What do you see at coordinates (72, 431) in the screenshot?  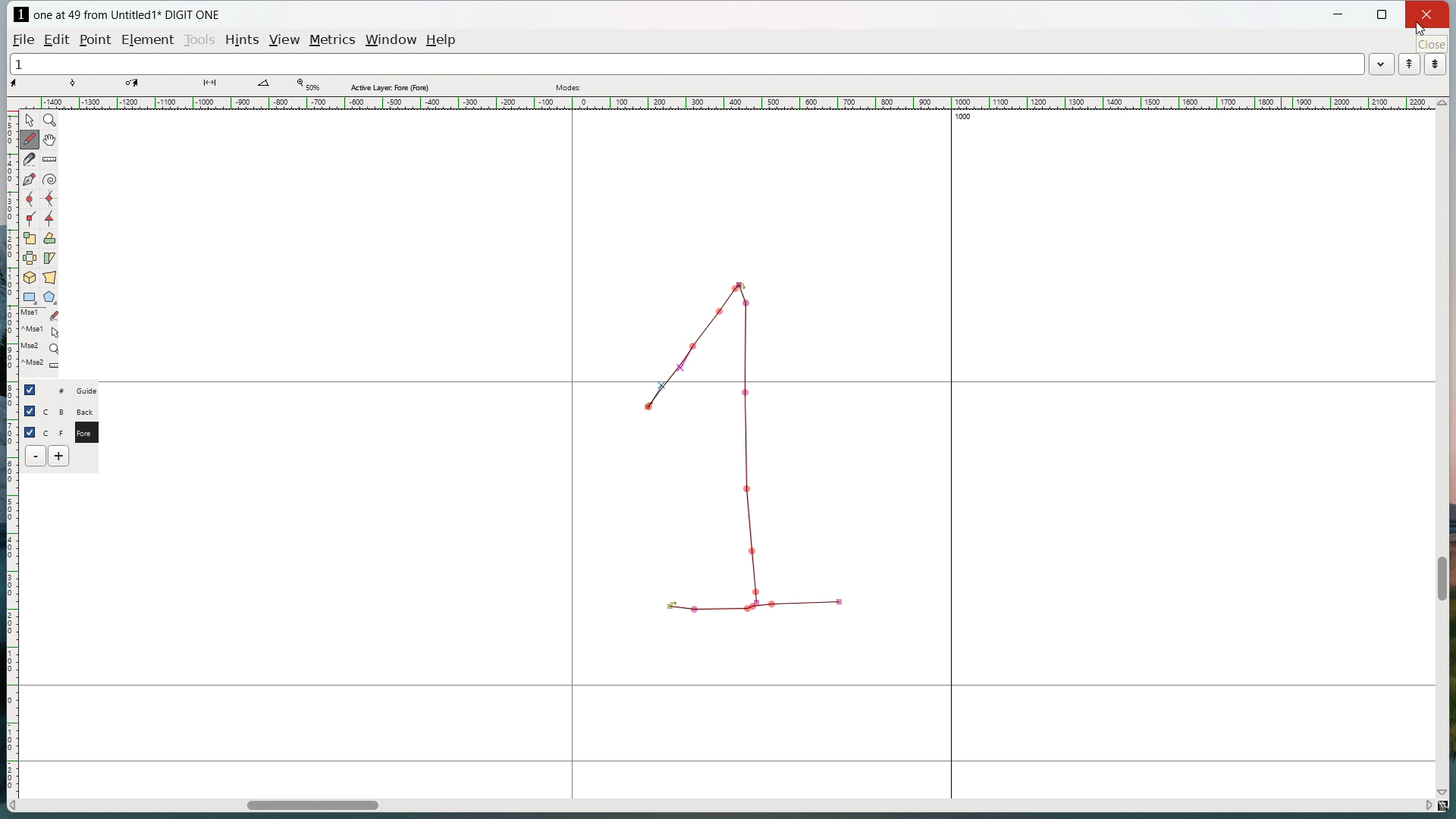 I see `C F Fore` at bounding box center [72, 431].